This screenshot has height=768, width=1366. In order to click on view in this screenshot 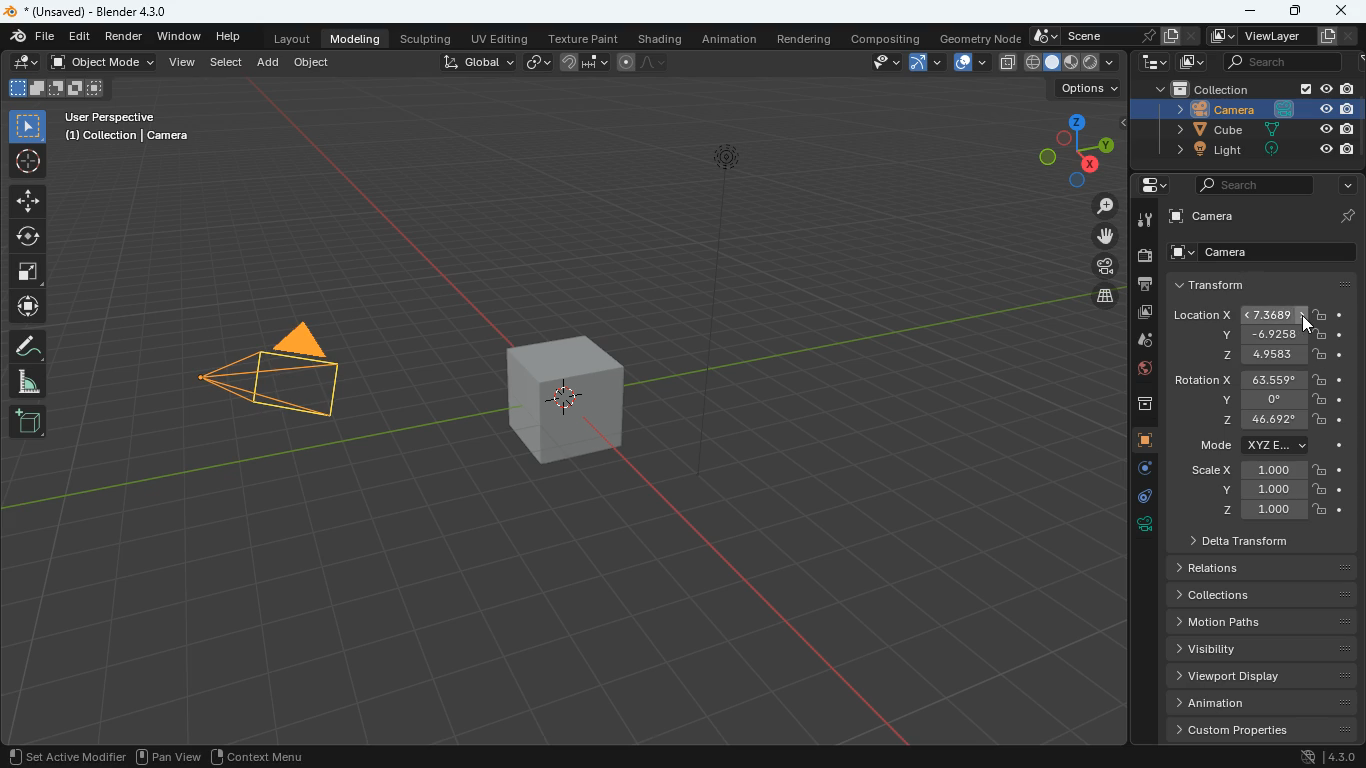, I will do `click(183, 65)`.